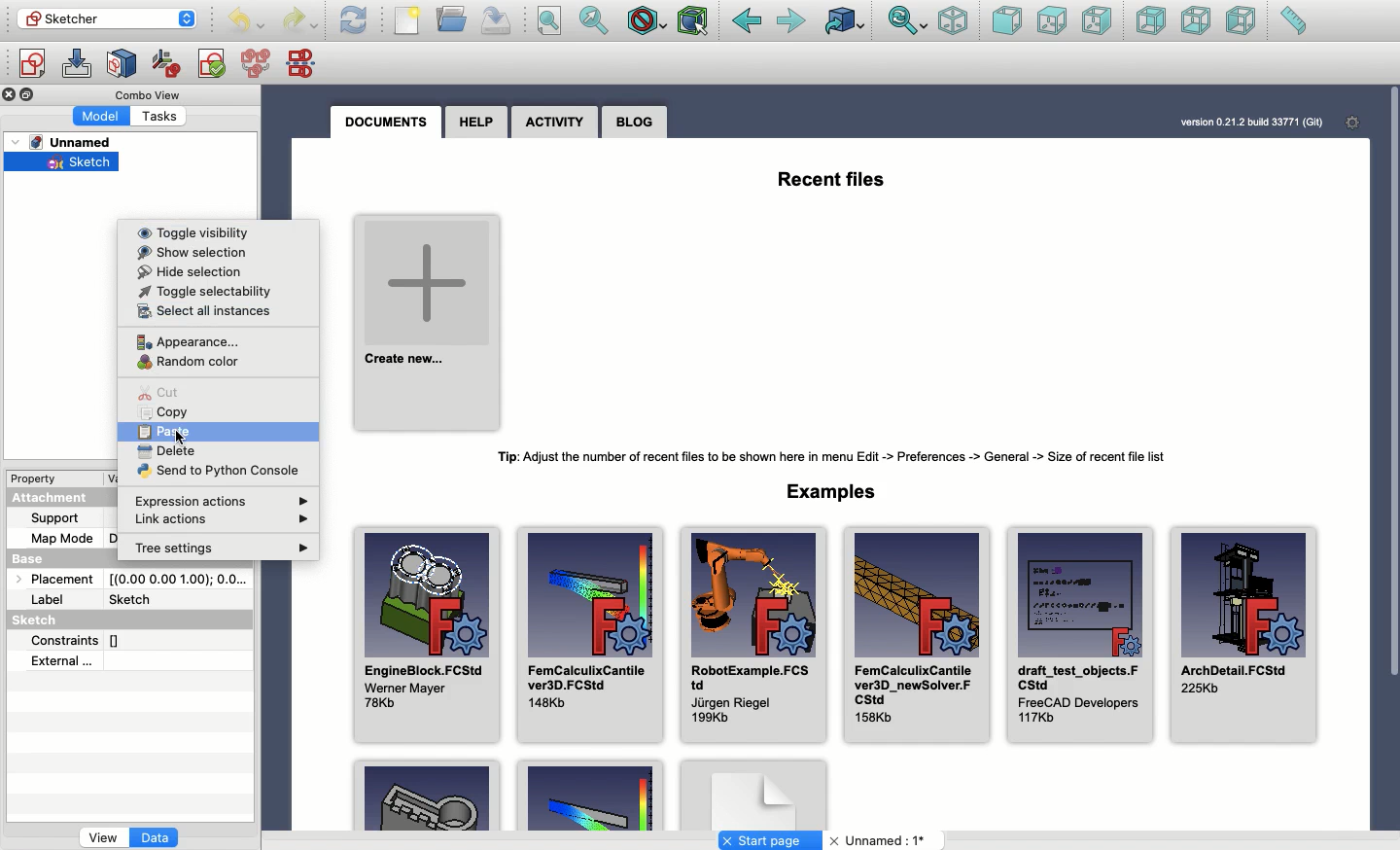 This screenshot has width=1400, height=850. I want to click on Save, so click(497, 21).